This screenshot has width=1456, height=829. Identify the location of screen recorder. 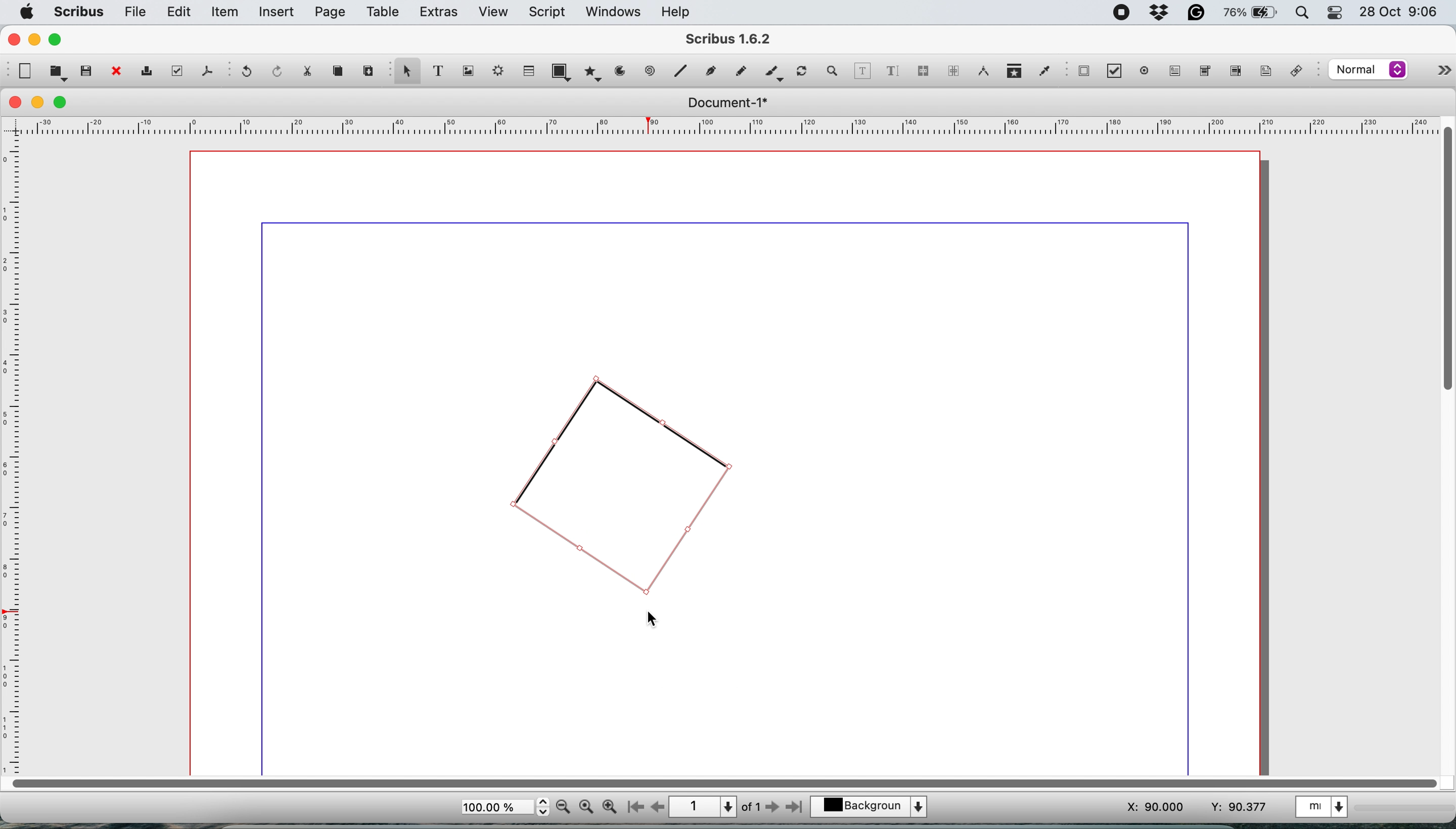
(1119, 11).